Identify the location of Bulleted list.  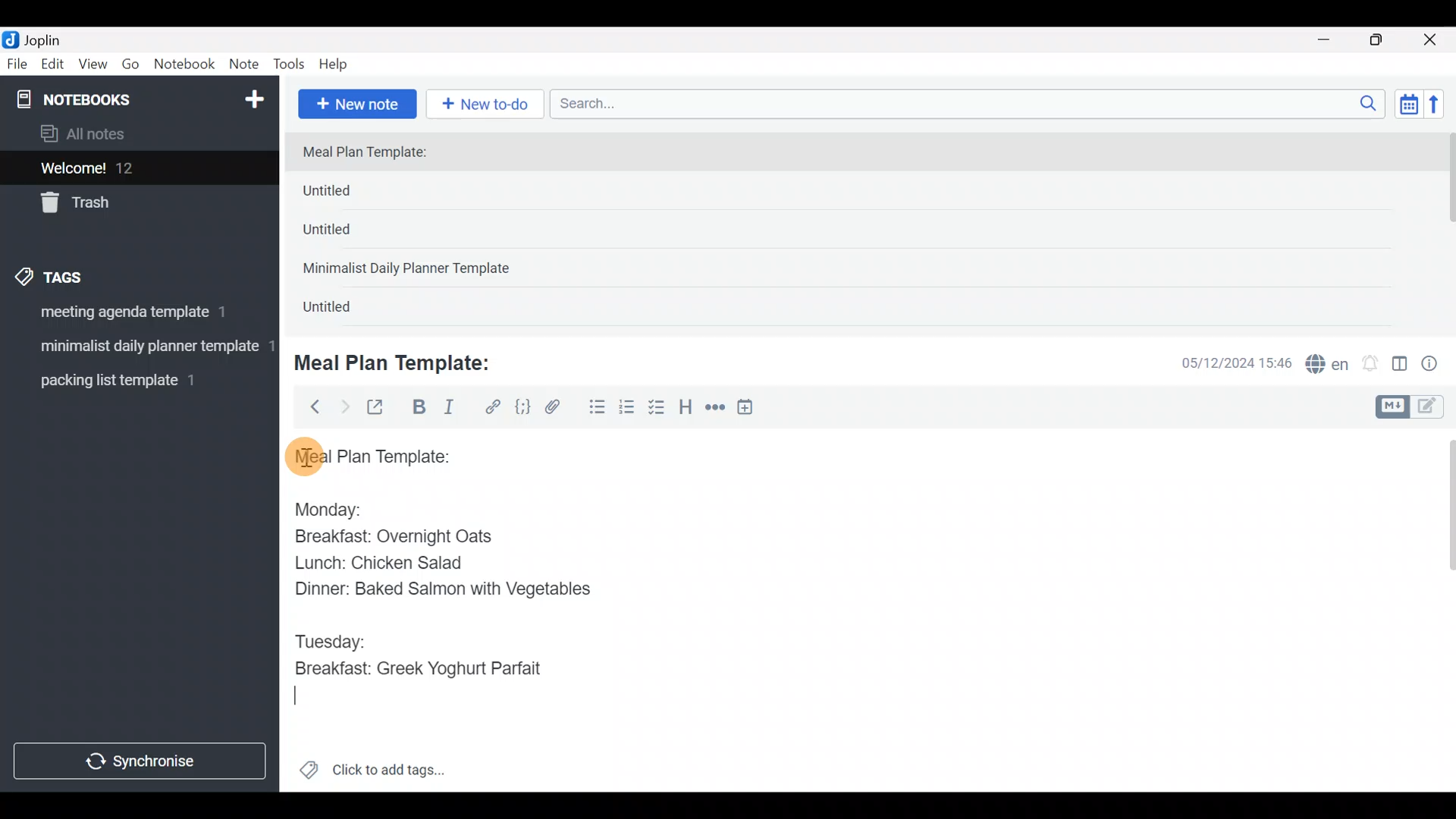
(594, 408).